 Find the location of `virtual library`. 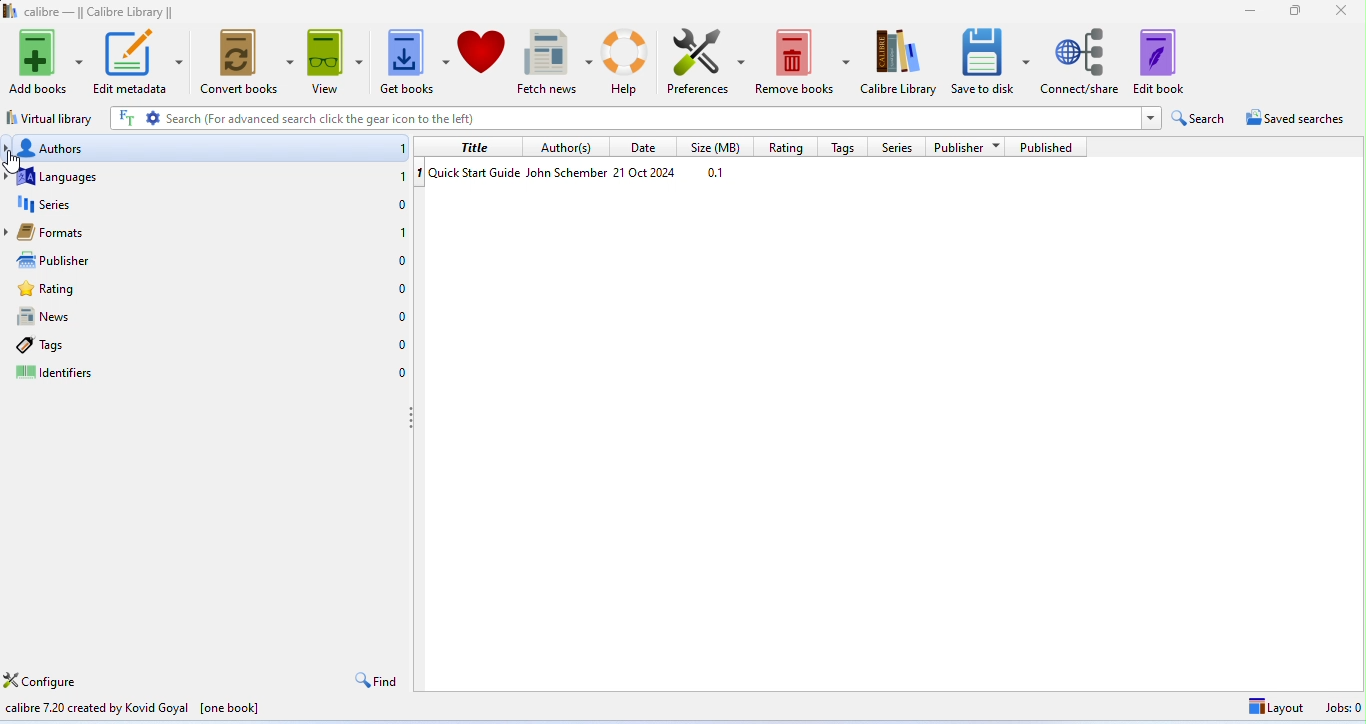

virtual library is located at coordinates (50, 118).